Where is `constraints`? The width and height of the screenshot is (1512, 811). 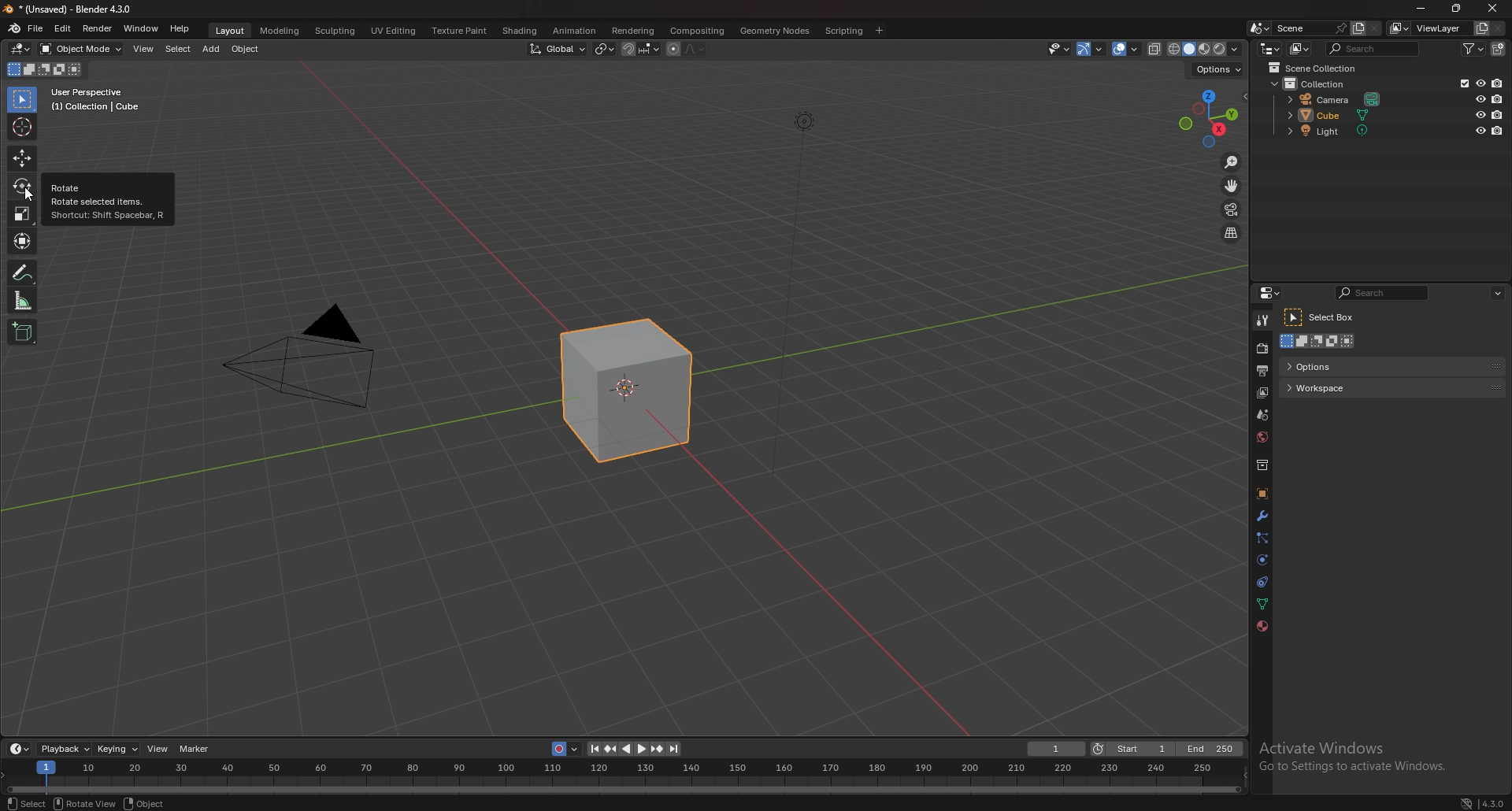 constraints is located at coordinates (1263, 581).